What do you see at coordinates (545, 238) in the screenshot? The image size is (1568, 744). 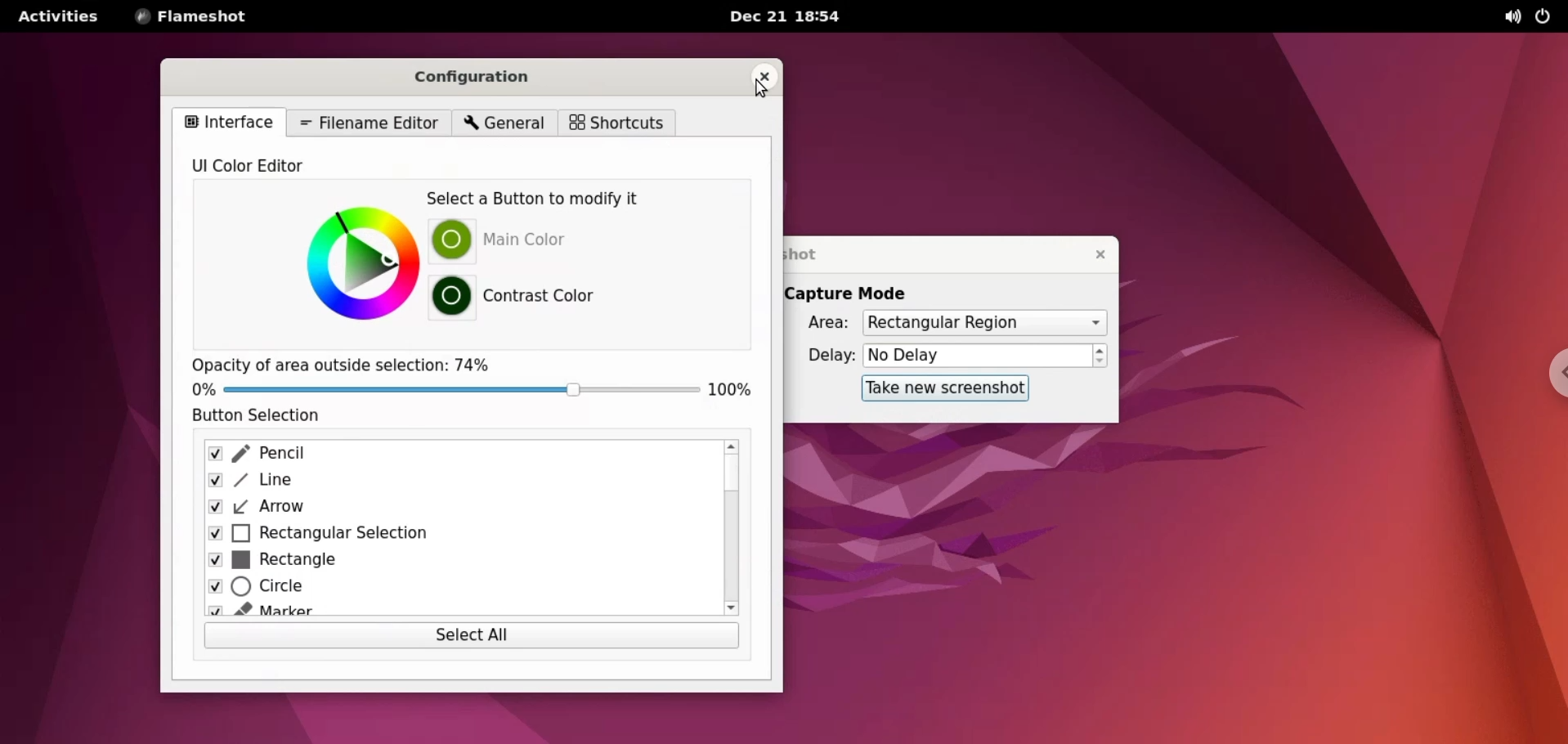 I see `main color` at bounding box center [545, 238].